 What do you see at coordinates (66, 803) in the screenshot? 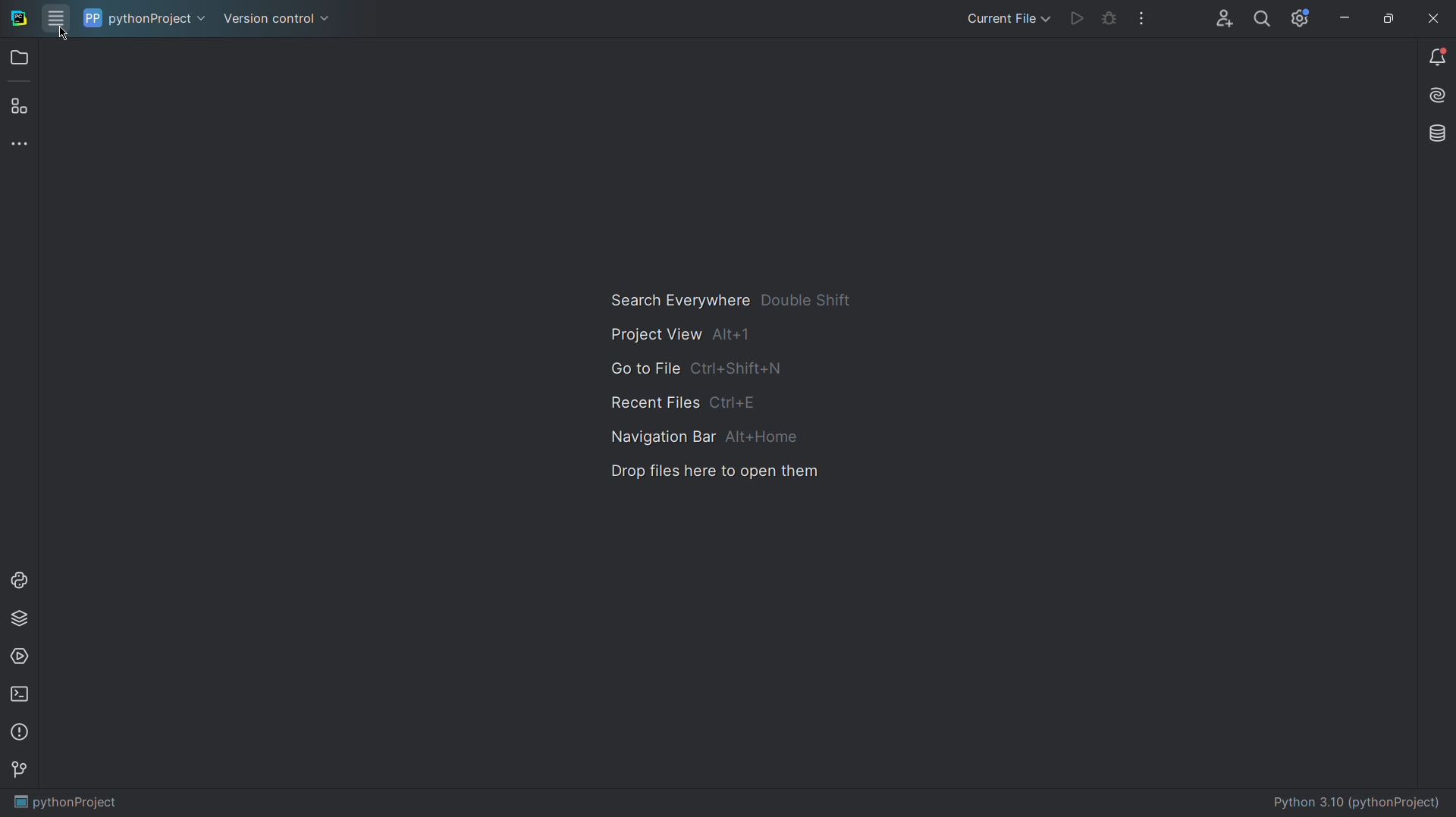
I see `pythonProject` at bounding box center [66, 803].